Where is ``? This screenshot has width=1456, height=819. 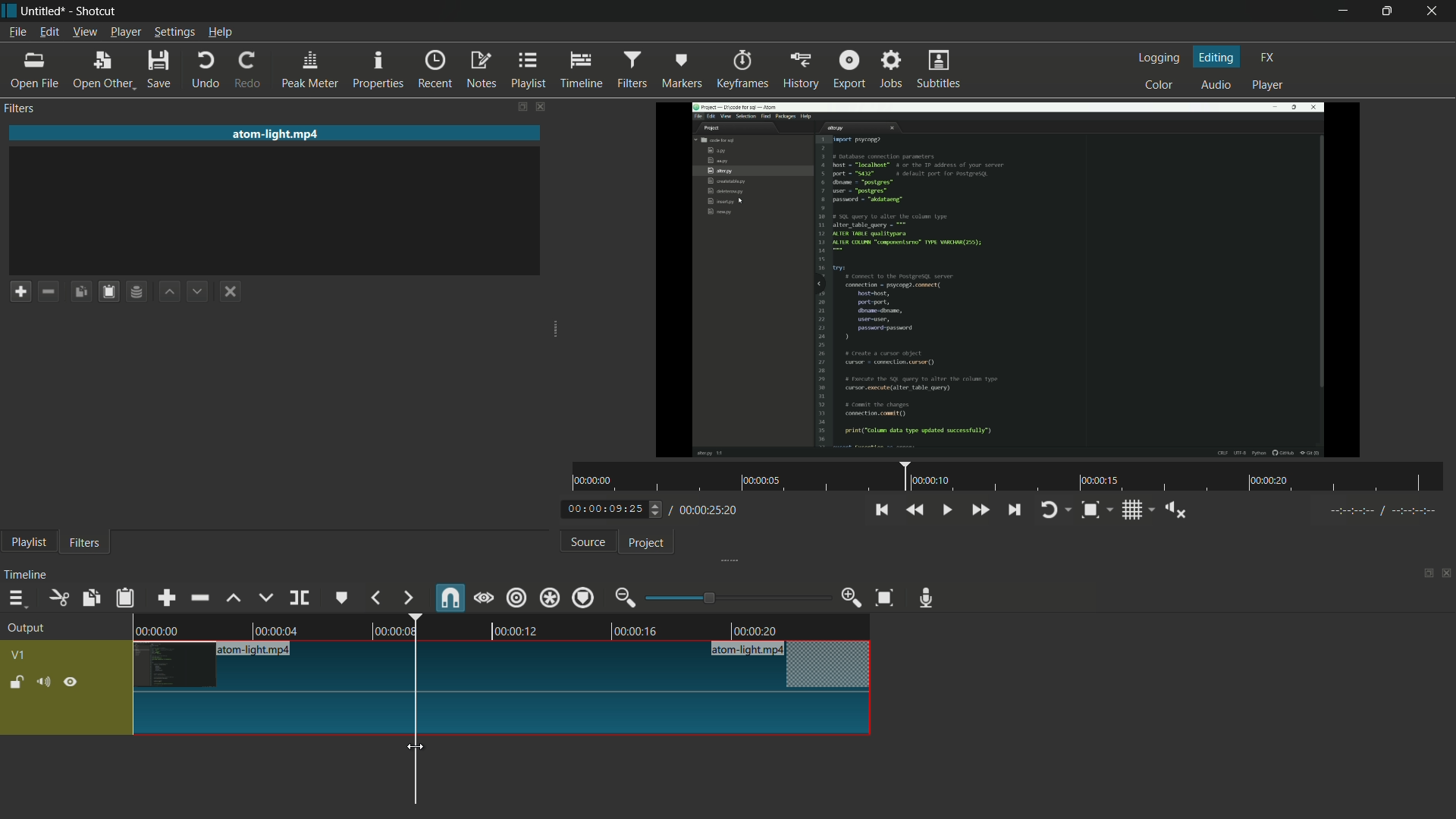
 is located at coordinates (1379, 513).